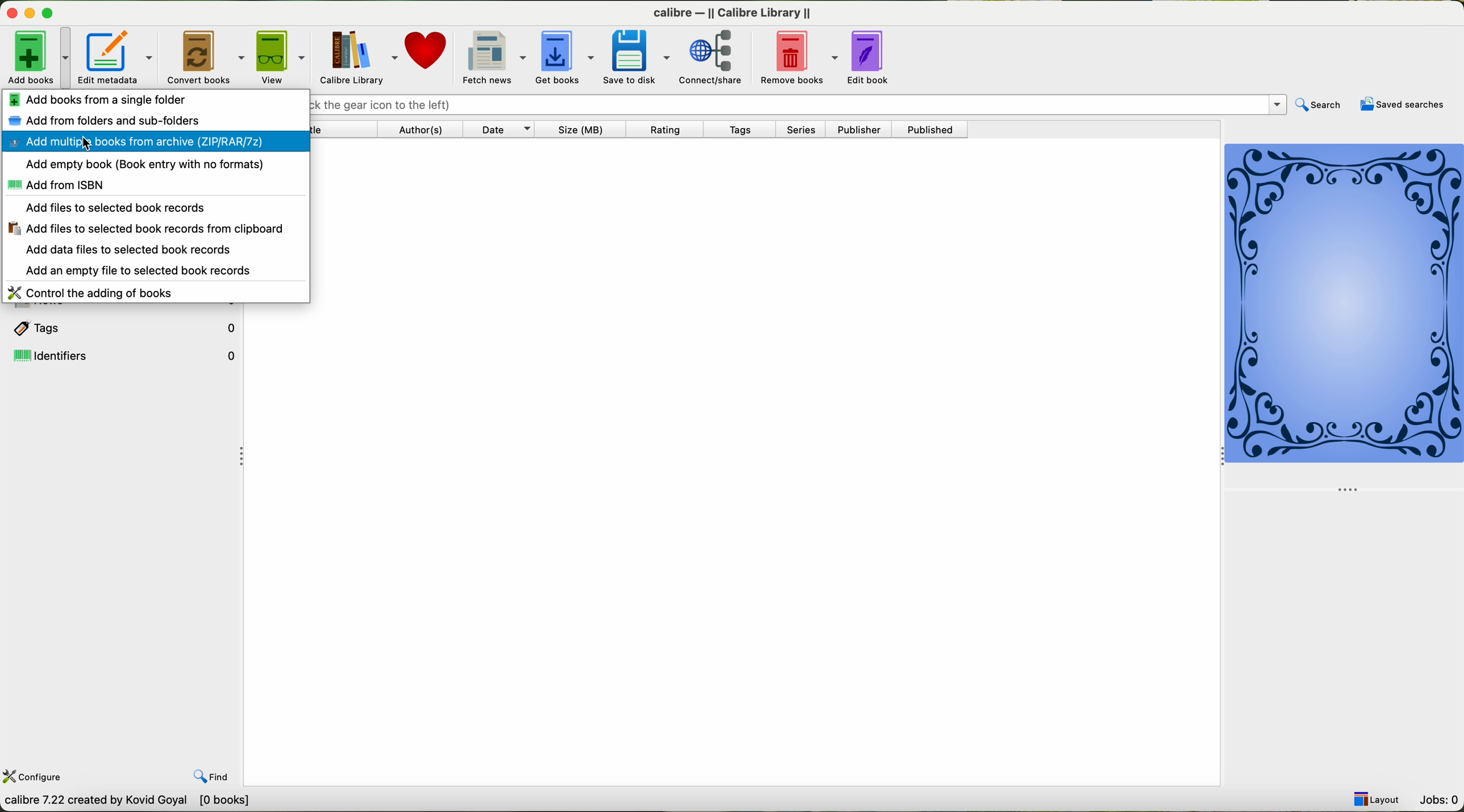 The image size is (1464, 812). What do you see at coordinates (204, 56) in the screenshot?
I see `convert books` at bounding box center [204, 56].